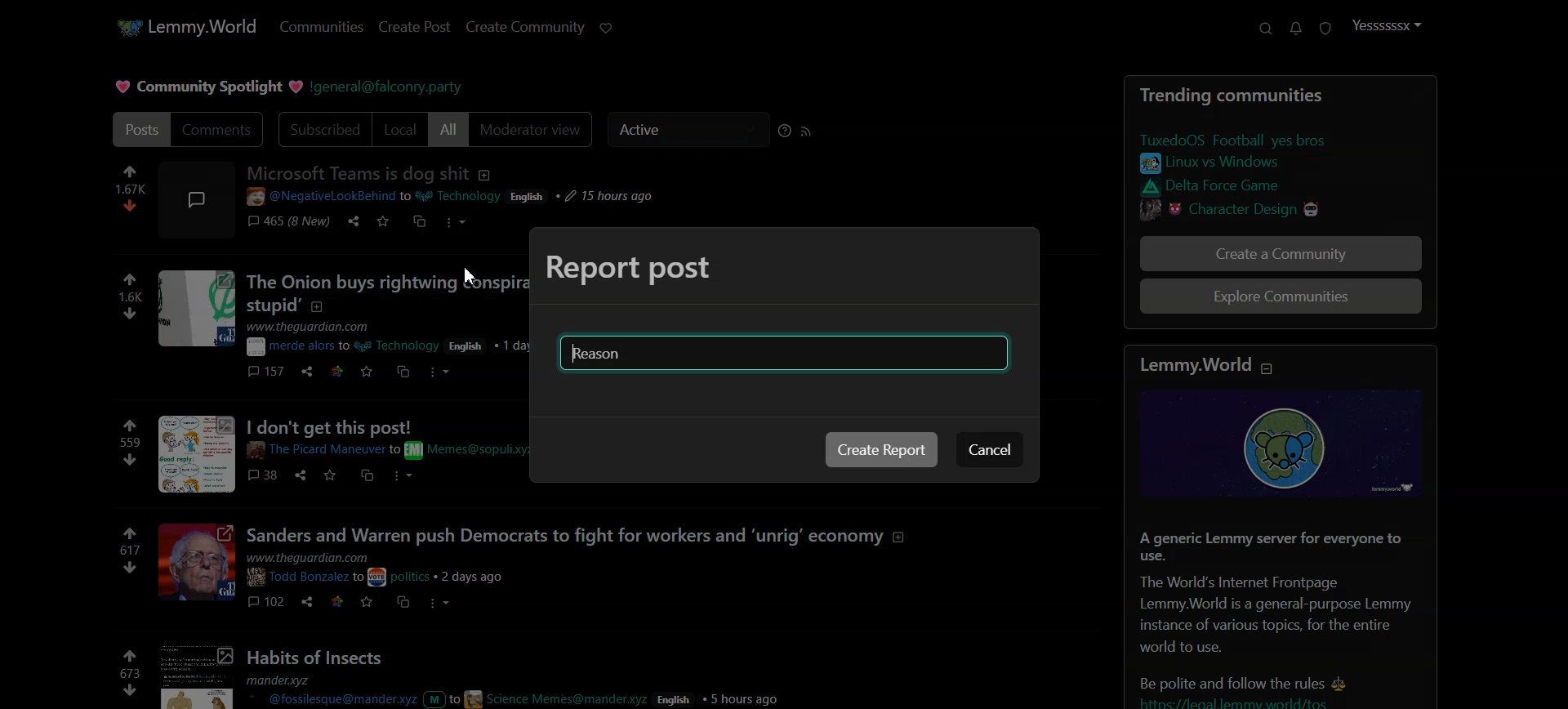  Describe the element at coordinates (196, 310) in the screenshot. I see `image` at that location.